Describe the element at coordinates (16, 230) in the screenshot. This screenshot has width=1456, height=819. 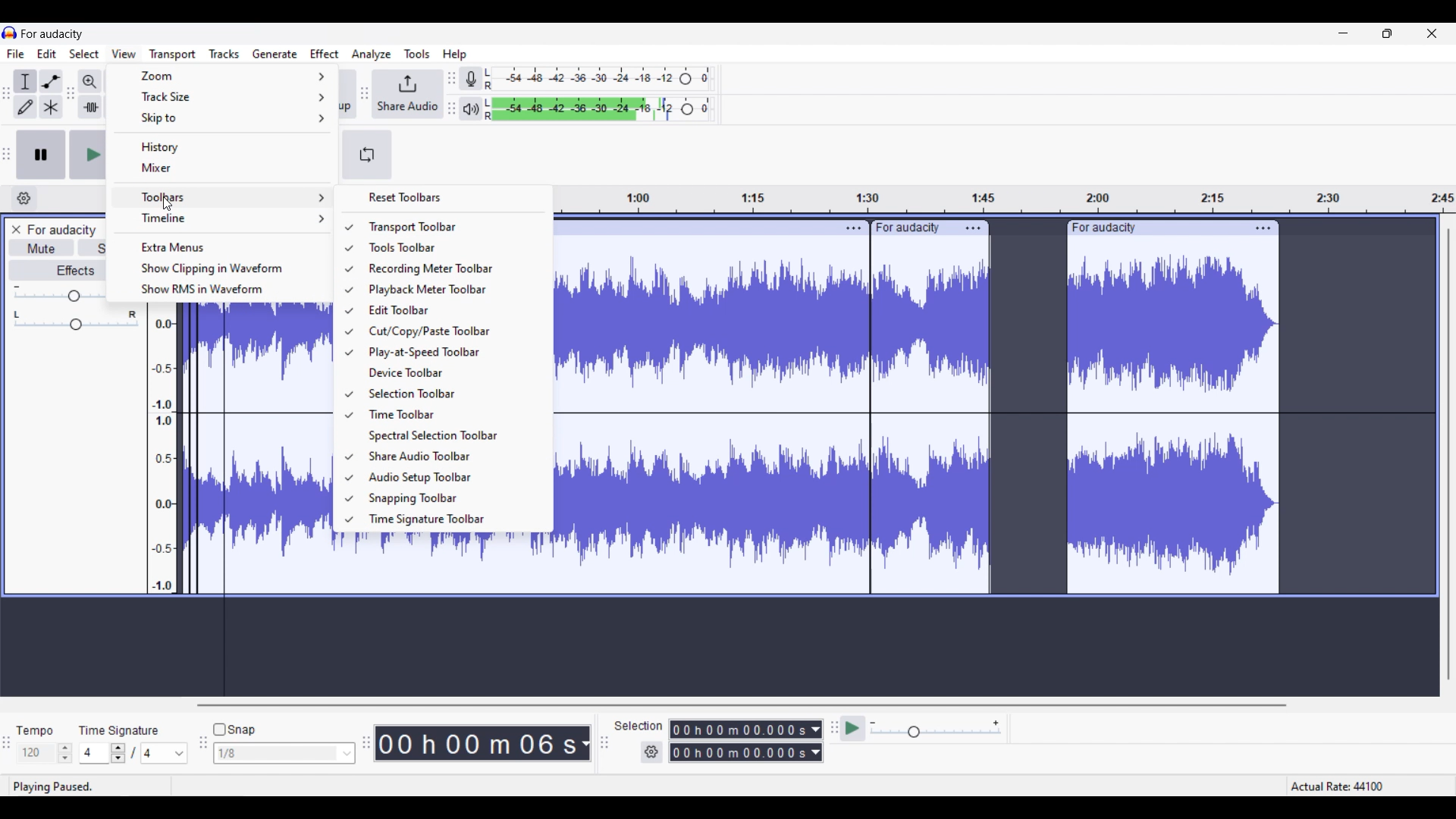
I see `Close track` at that location.